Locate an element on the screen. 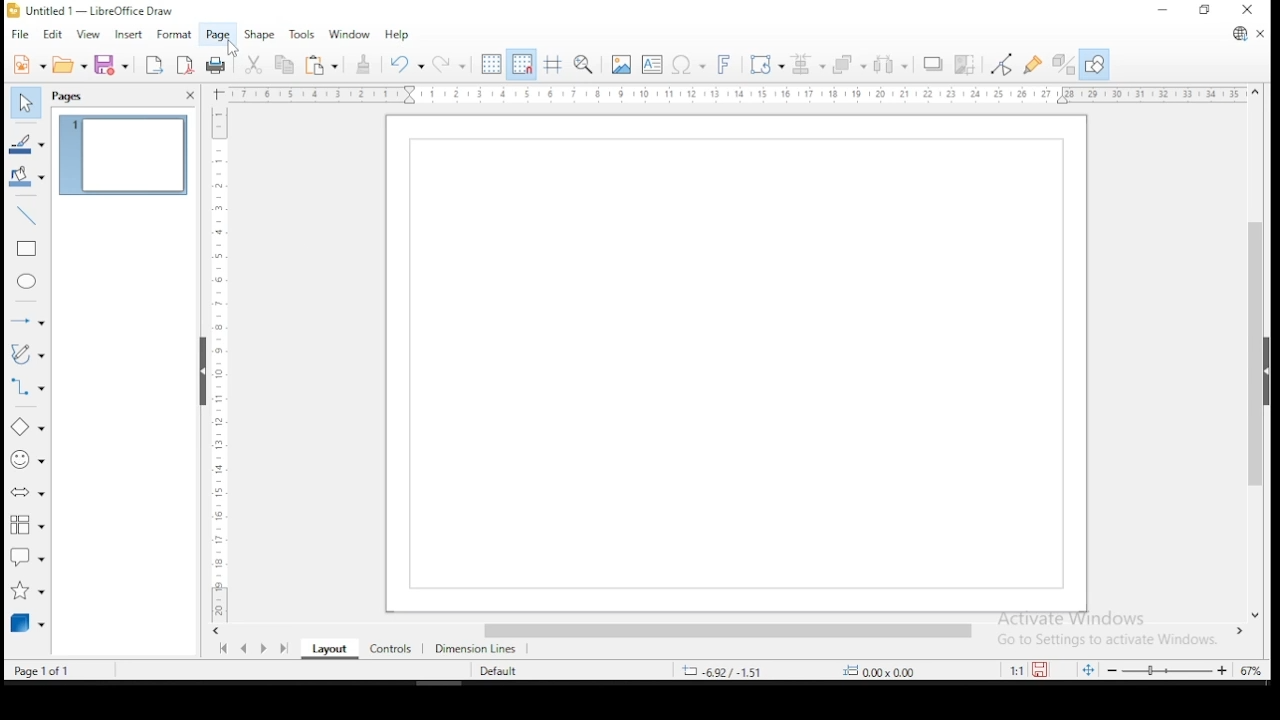 Image resolution: width=1280 pixels, height=720 pixels. ellipse is located at coordinates (28, 284).